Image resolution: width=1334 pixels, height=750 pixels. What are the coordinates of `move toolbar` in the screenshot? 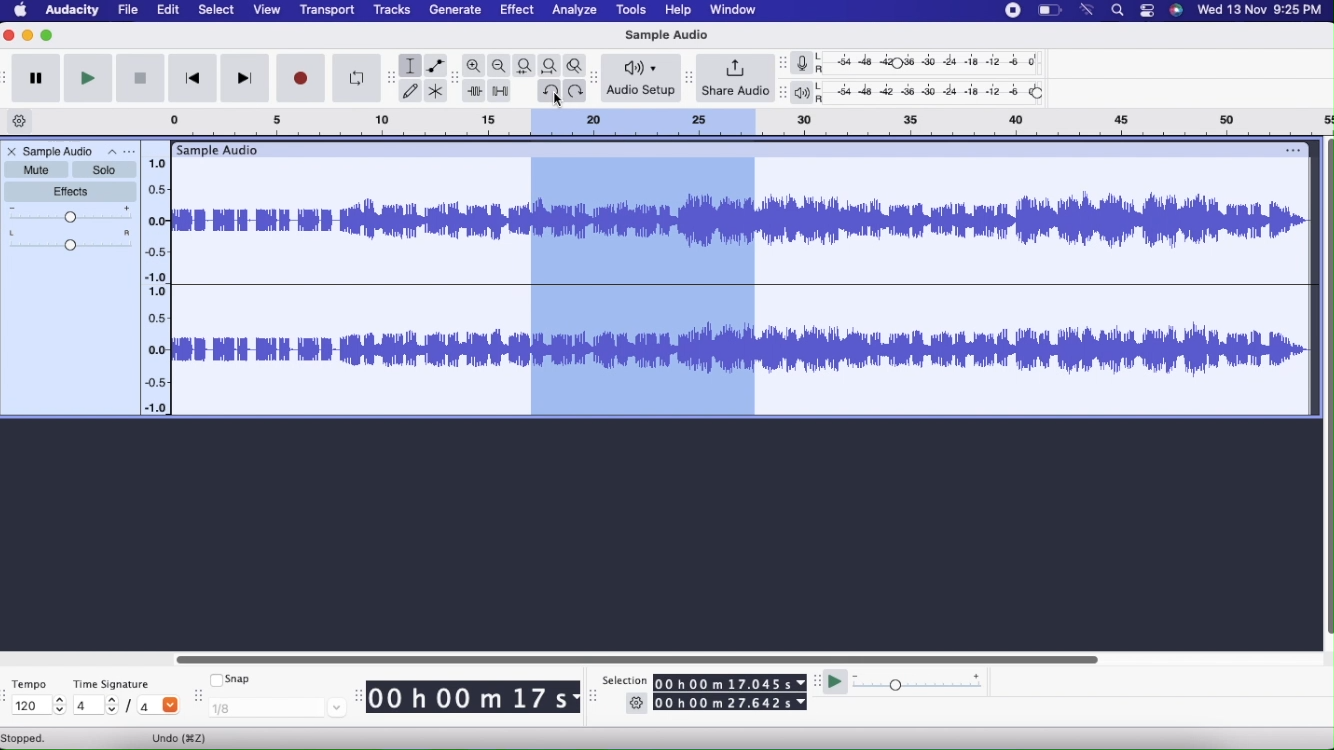 It's located at (591, 697).